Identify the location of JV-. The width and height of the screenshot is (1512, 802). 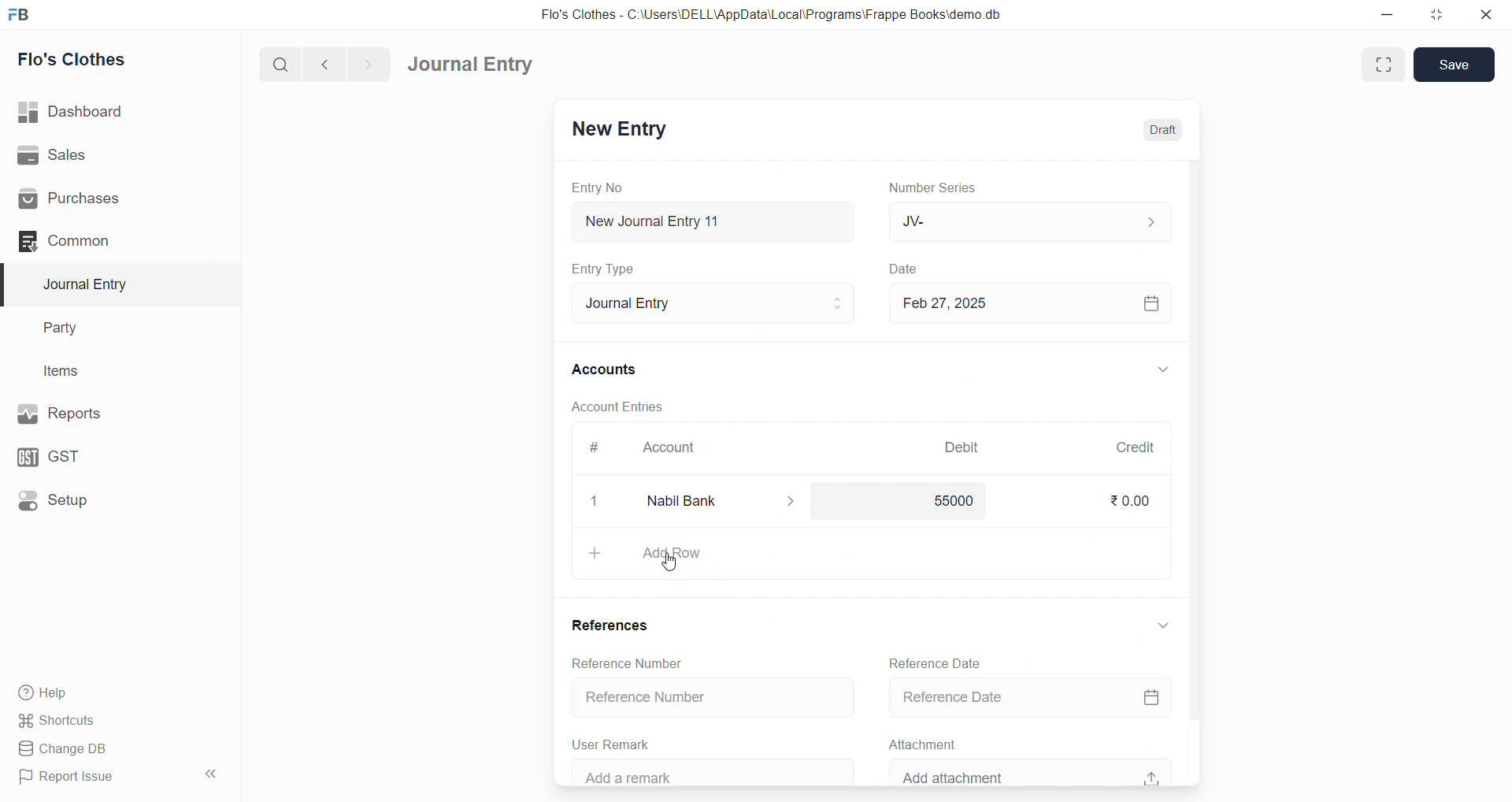
(1028, 219).